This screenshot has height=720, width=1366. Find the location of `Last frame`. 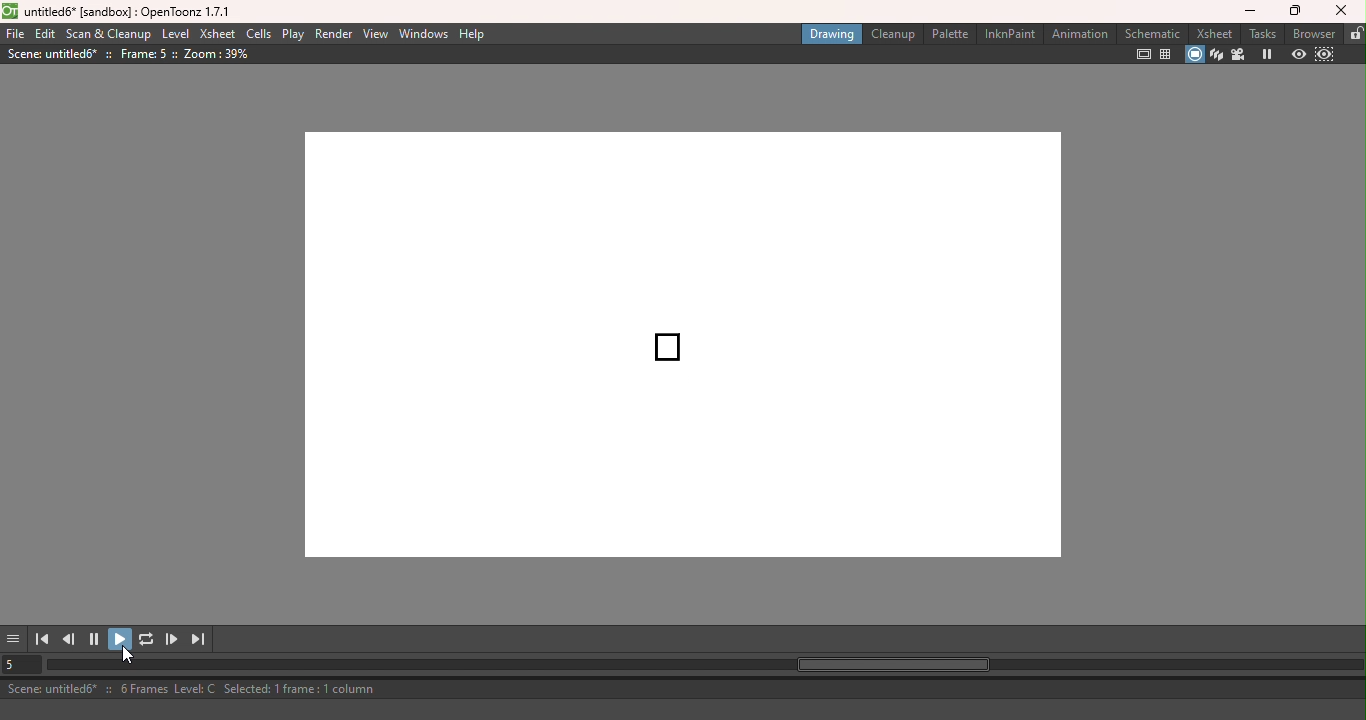

Last frame is located at coordinates (203, 640).